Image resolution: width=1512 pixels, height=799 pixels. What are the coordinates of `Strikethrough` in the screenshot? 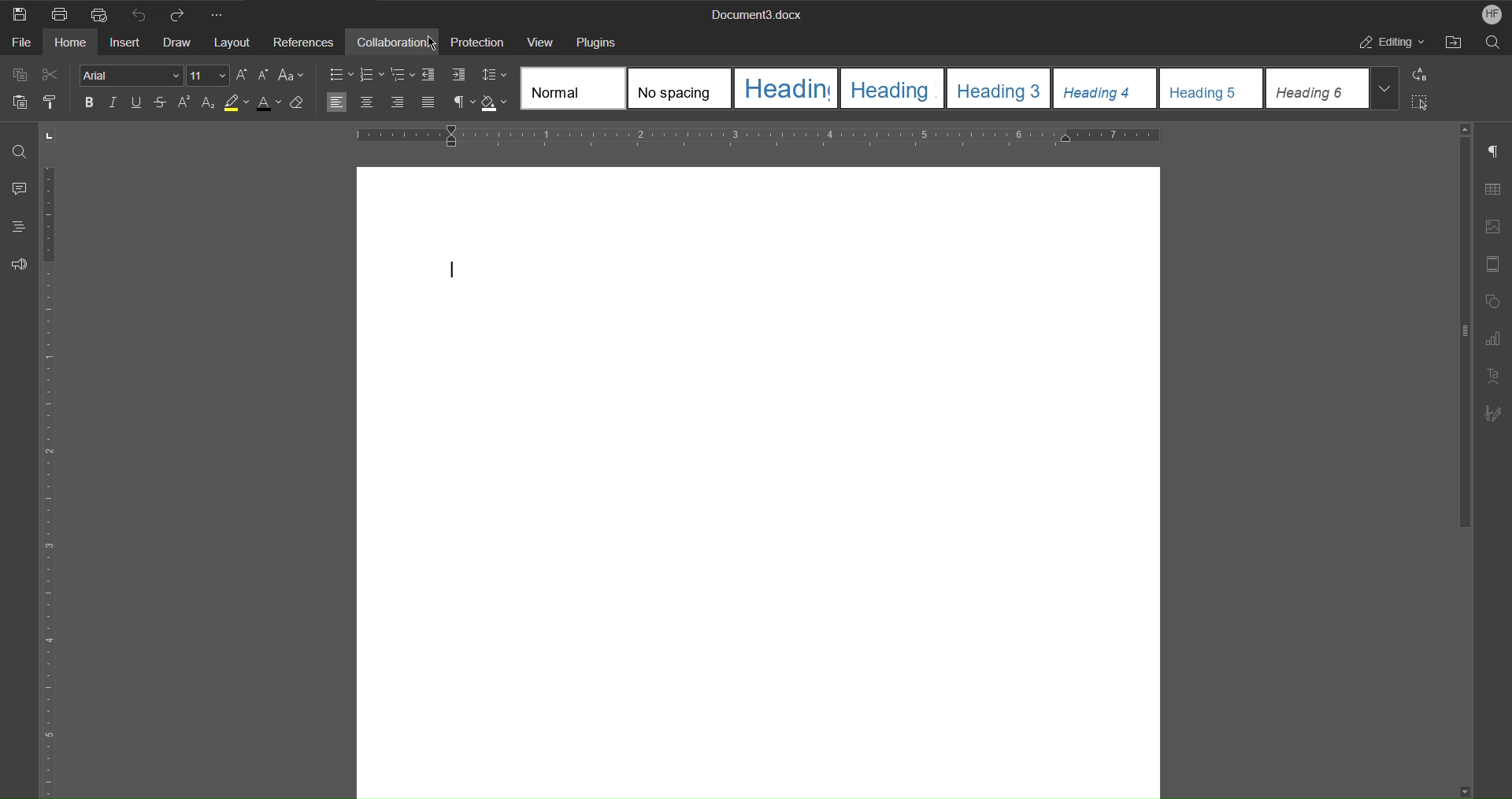 It's located at (164, 102).